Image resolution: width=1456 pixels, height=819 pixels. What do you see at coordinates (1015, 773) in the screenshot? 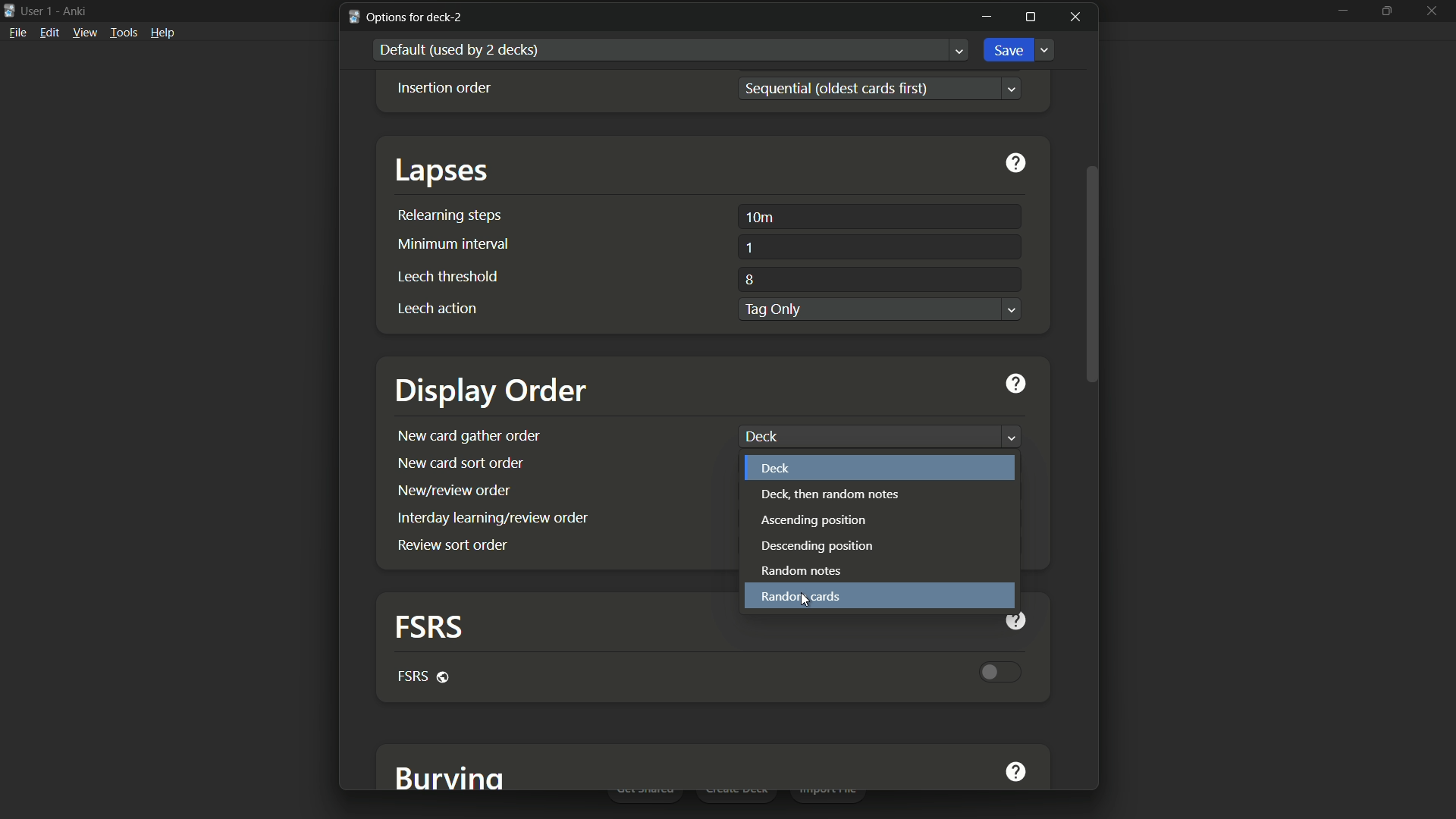
I see `get help` at bounding box center [1015, 773].